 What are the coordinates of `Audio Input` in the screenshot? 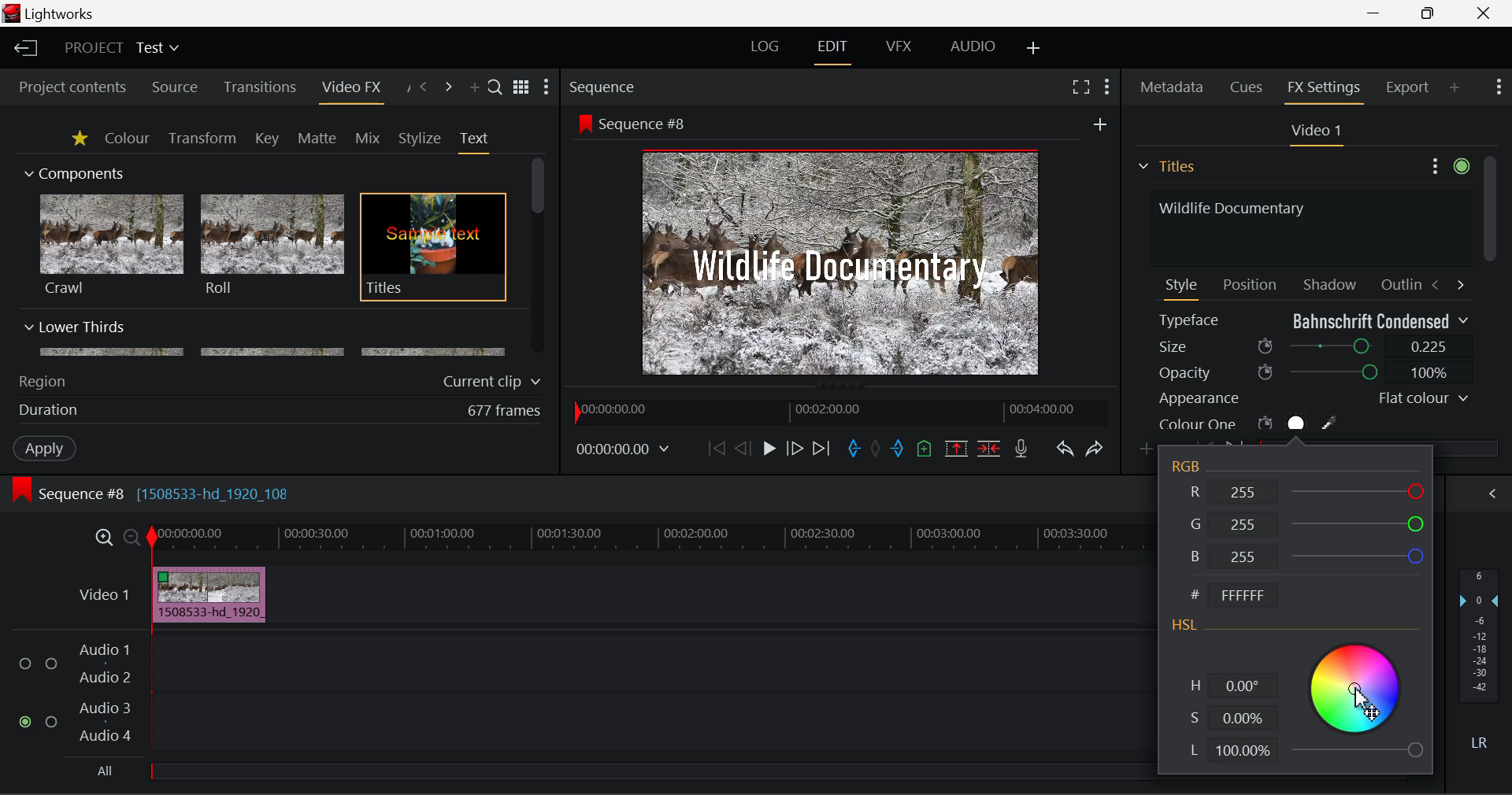 It's located at (647, 695).